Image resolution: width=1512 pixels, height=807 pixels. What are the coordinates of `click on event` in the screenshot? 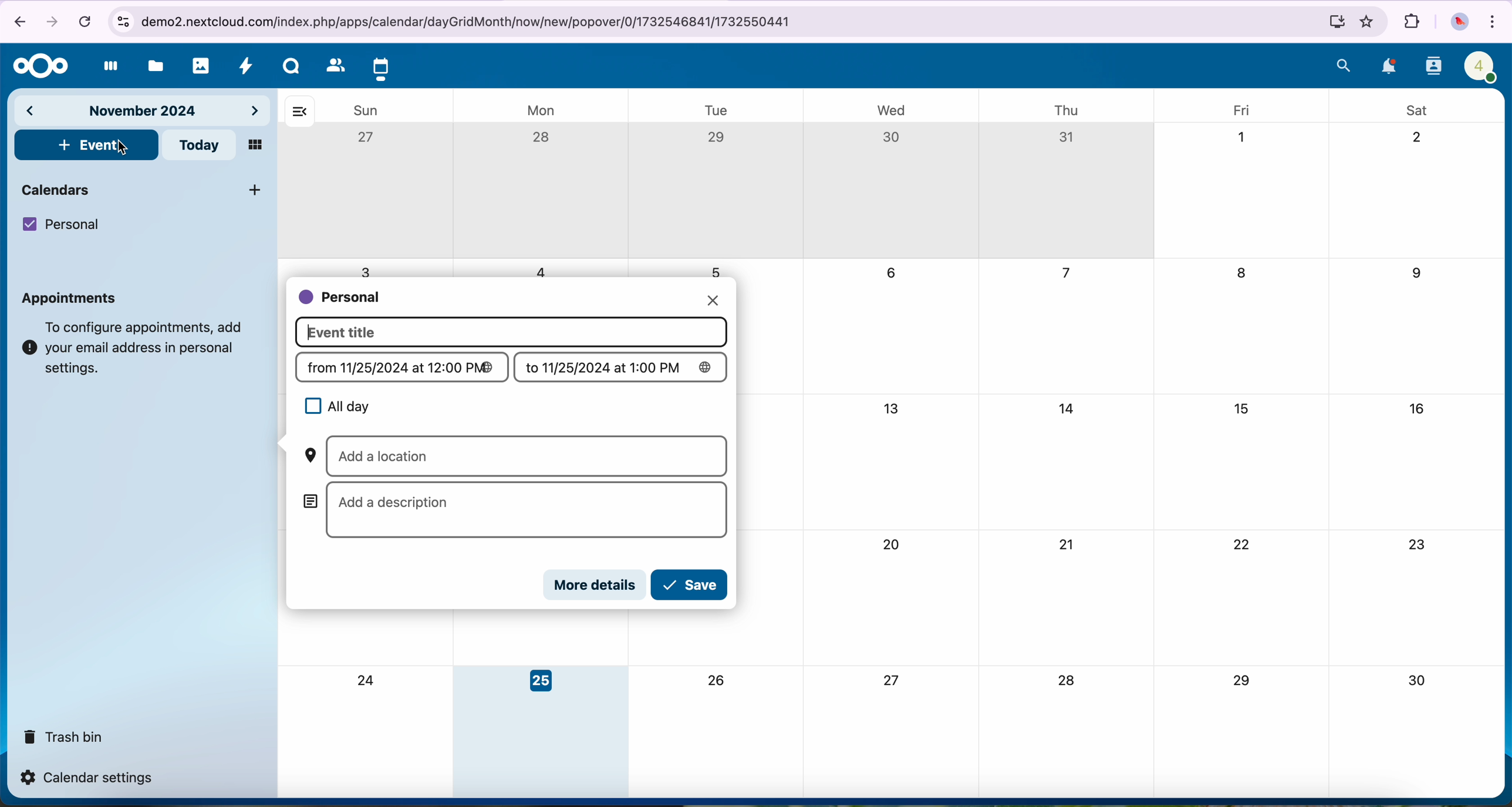 It's located at (87, 146).